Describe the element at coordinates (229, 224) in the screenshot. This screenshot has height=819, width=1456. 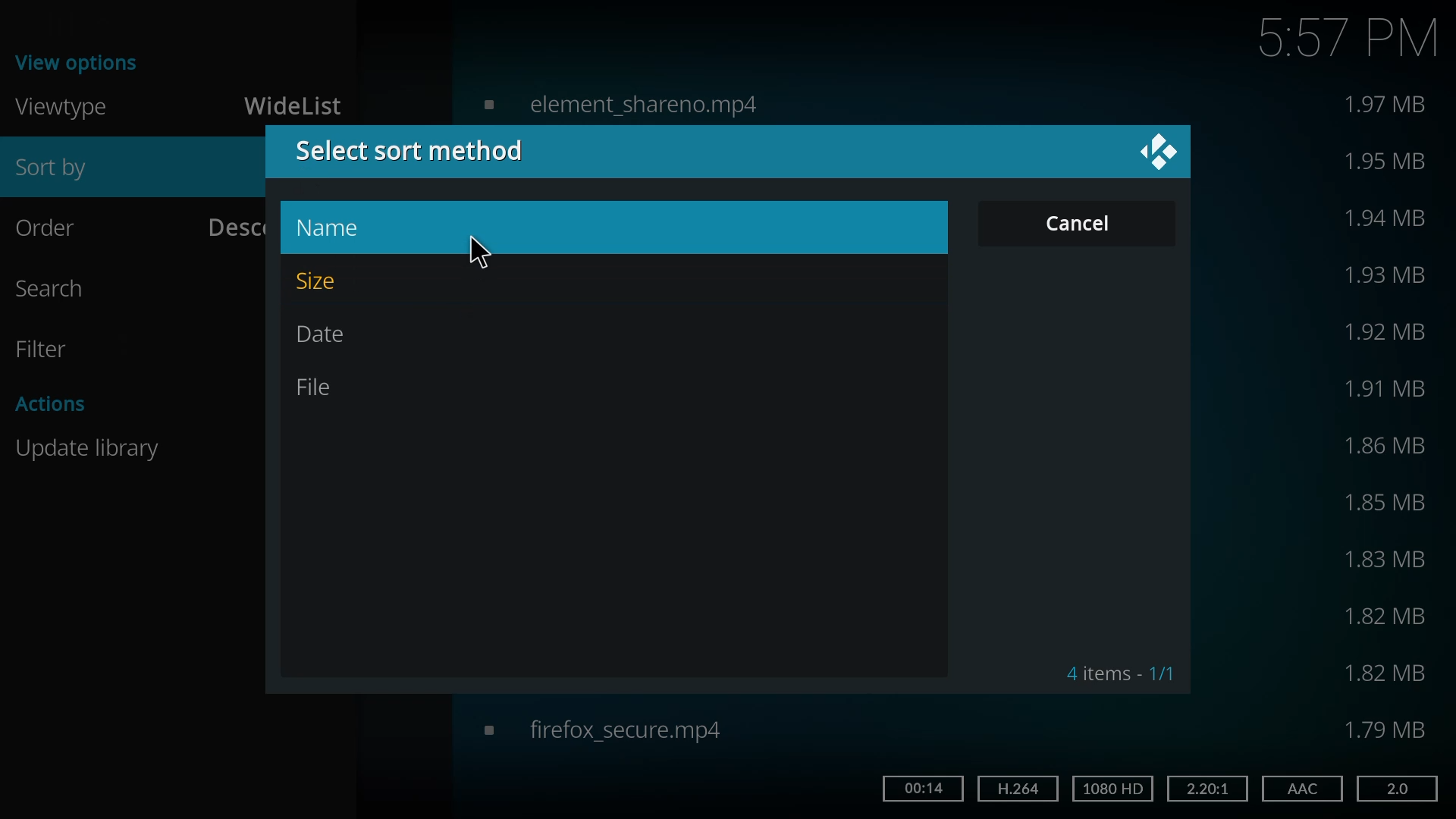
I see `desceding` at that location.